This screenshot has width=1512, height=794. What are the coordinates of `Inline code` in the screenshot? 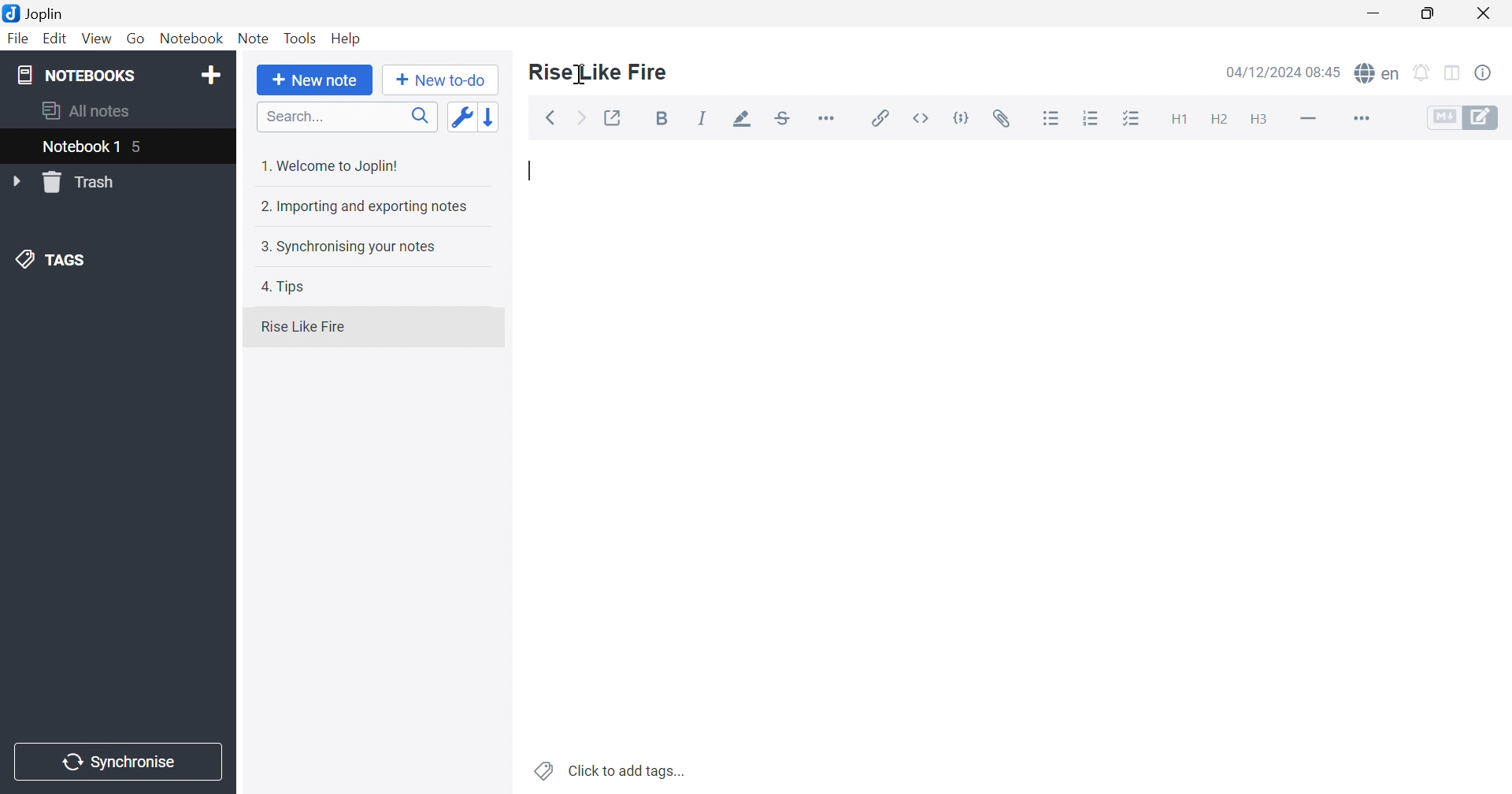 It's located at (922, 118).